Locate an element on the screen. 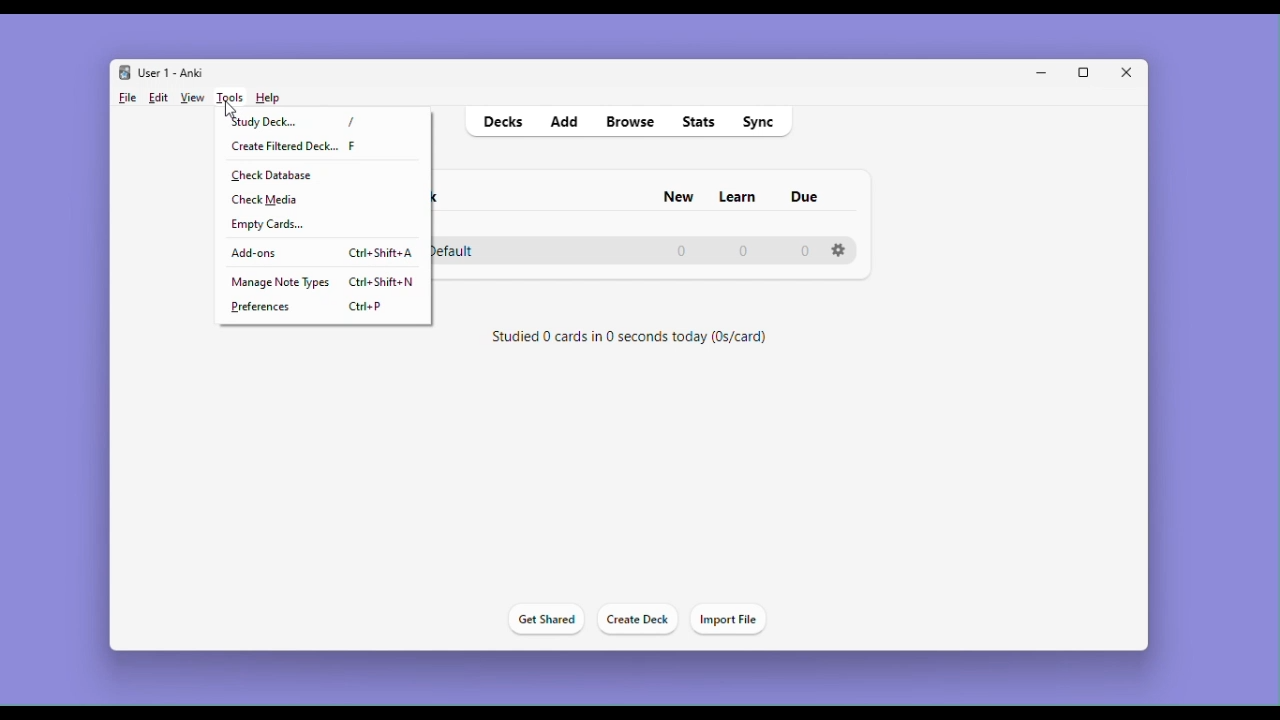  Manage note types is located at coordinates (278, 283).